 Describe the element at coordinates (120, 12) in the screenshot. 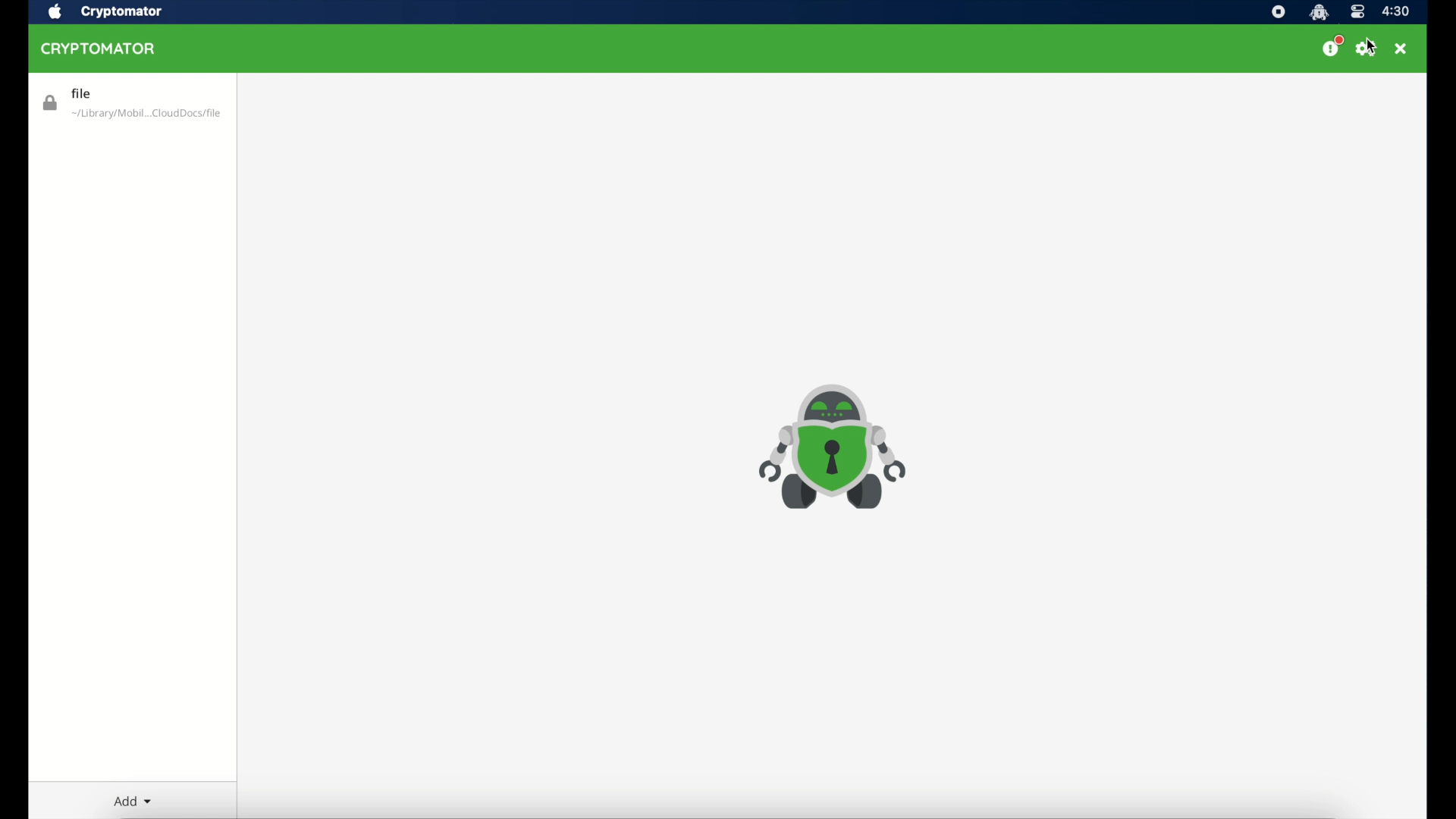

I see `crytomator` at that location.